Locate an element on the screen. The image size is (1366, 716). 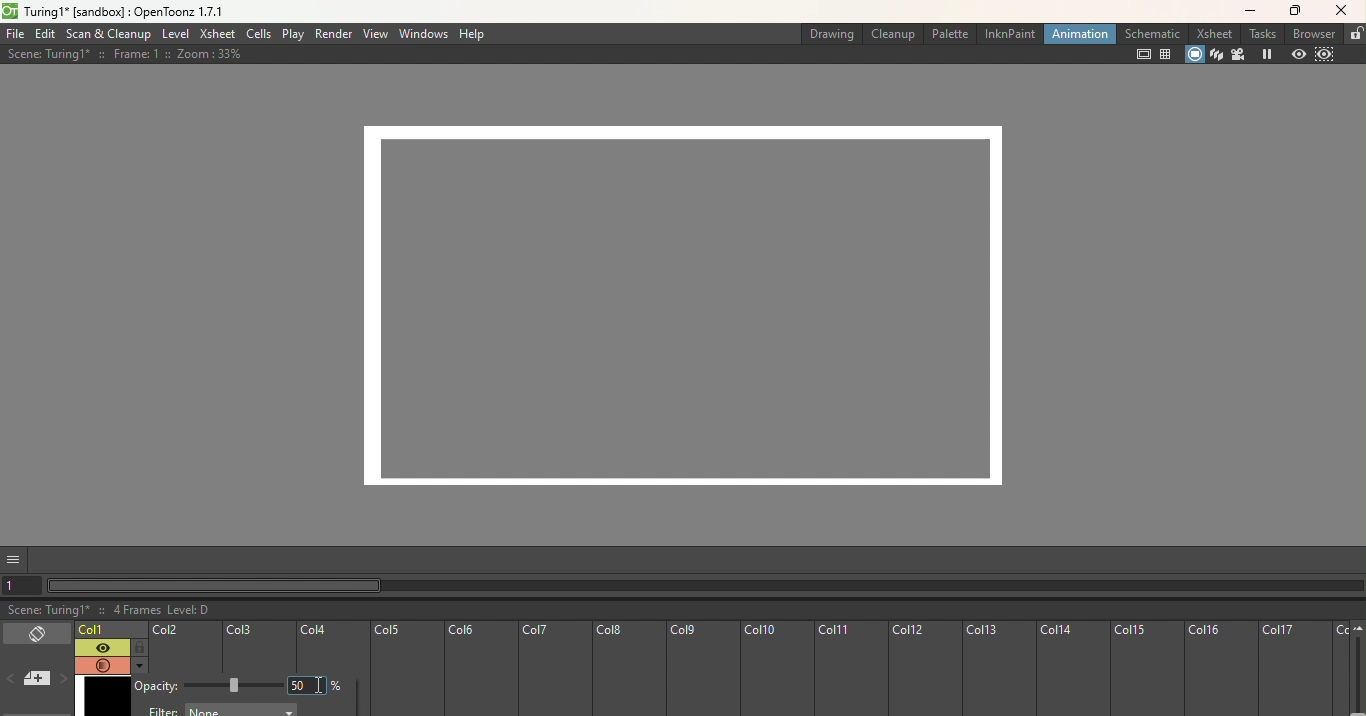
Col17 is located at coordinates (1295, 669).